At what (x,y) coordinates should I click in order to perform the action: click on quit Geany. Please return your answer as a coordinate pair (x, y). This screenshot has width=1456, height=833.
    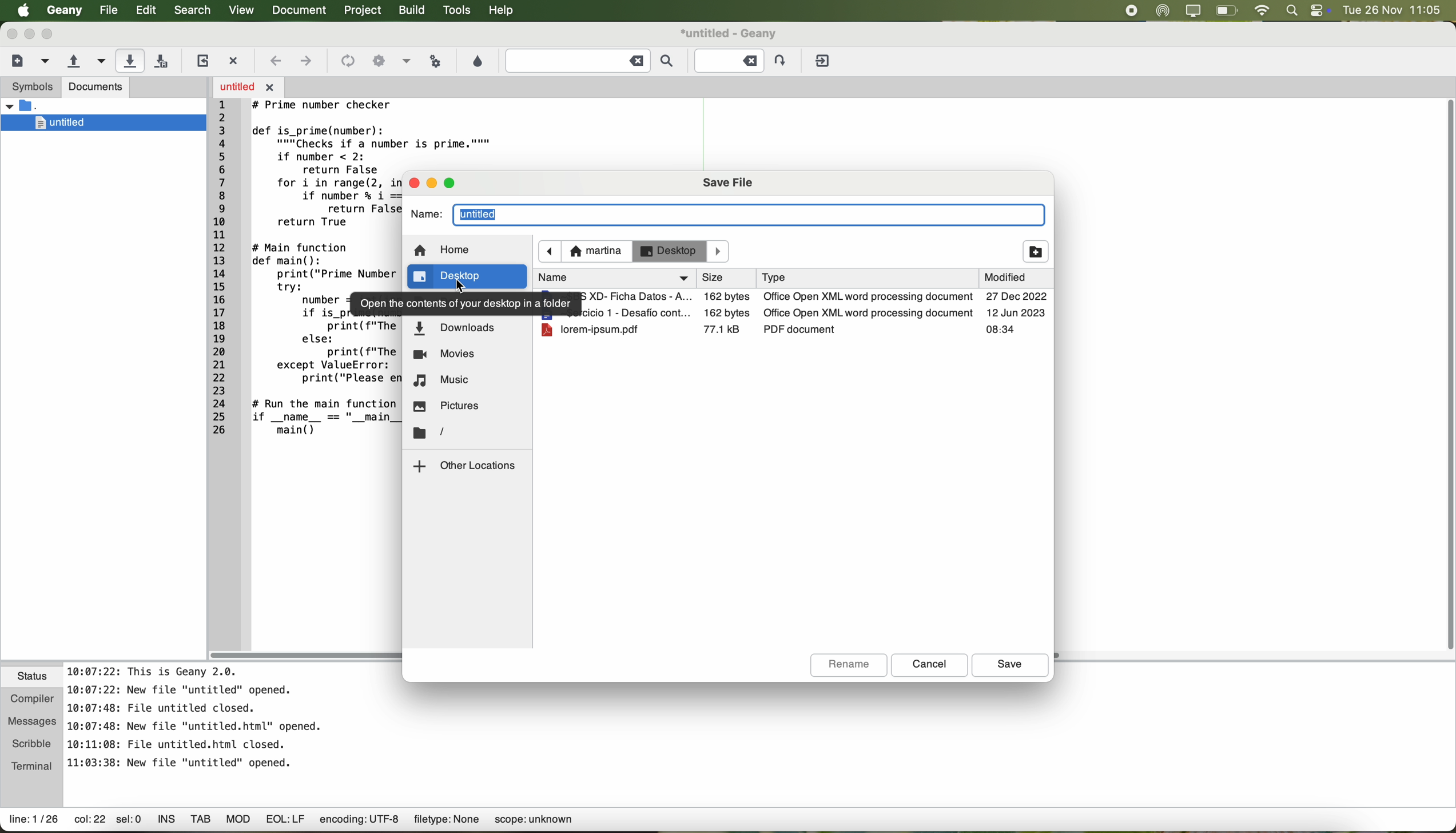
    Looking at the image, I should click on (824, 61).